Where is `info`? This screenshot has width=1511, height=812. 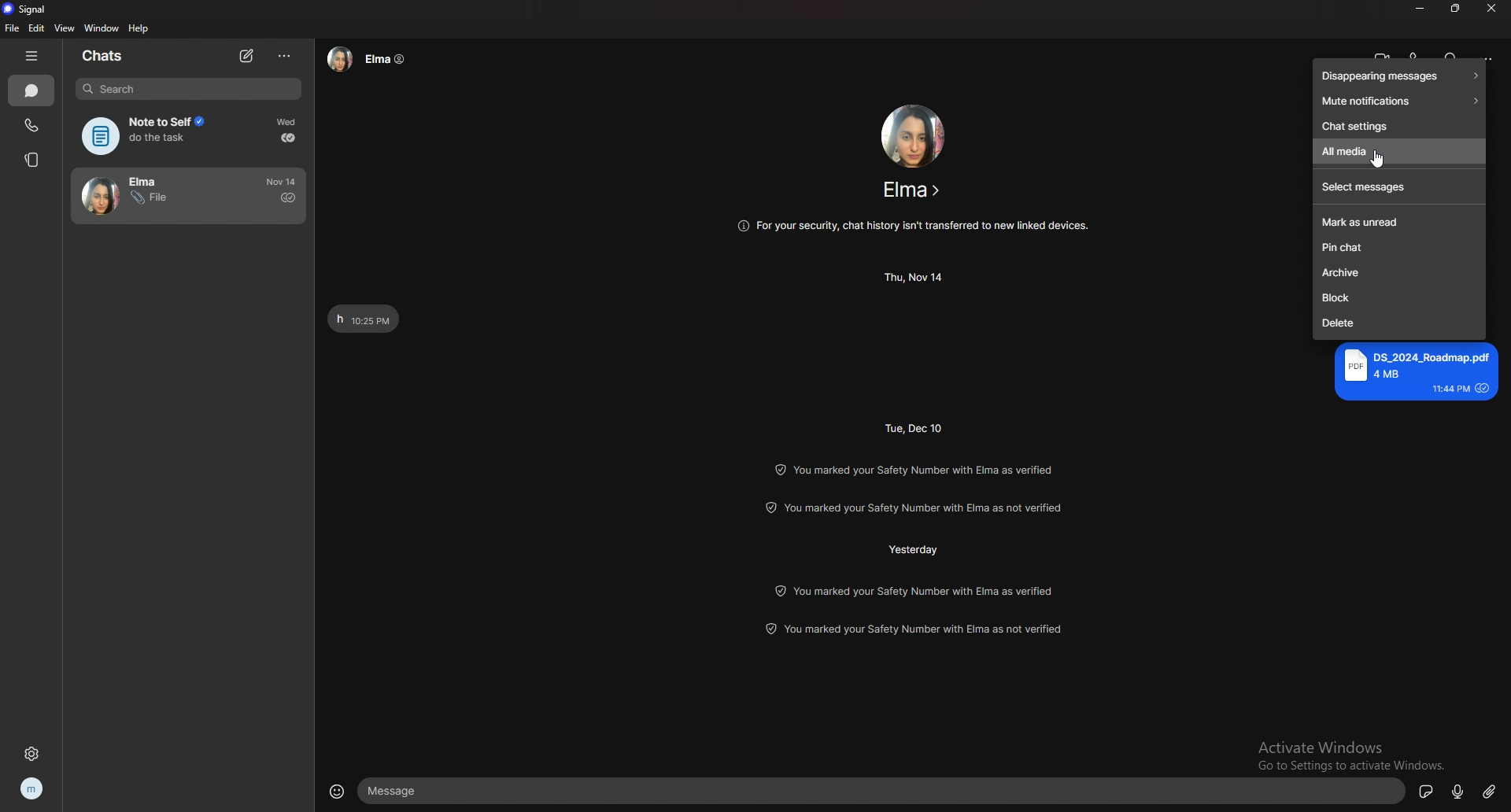 info is located at coordinates (914, 224).